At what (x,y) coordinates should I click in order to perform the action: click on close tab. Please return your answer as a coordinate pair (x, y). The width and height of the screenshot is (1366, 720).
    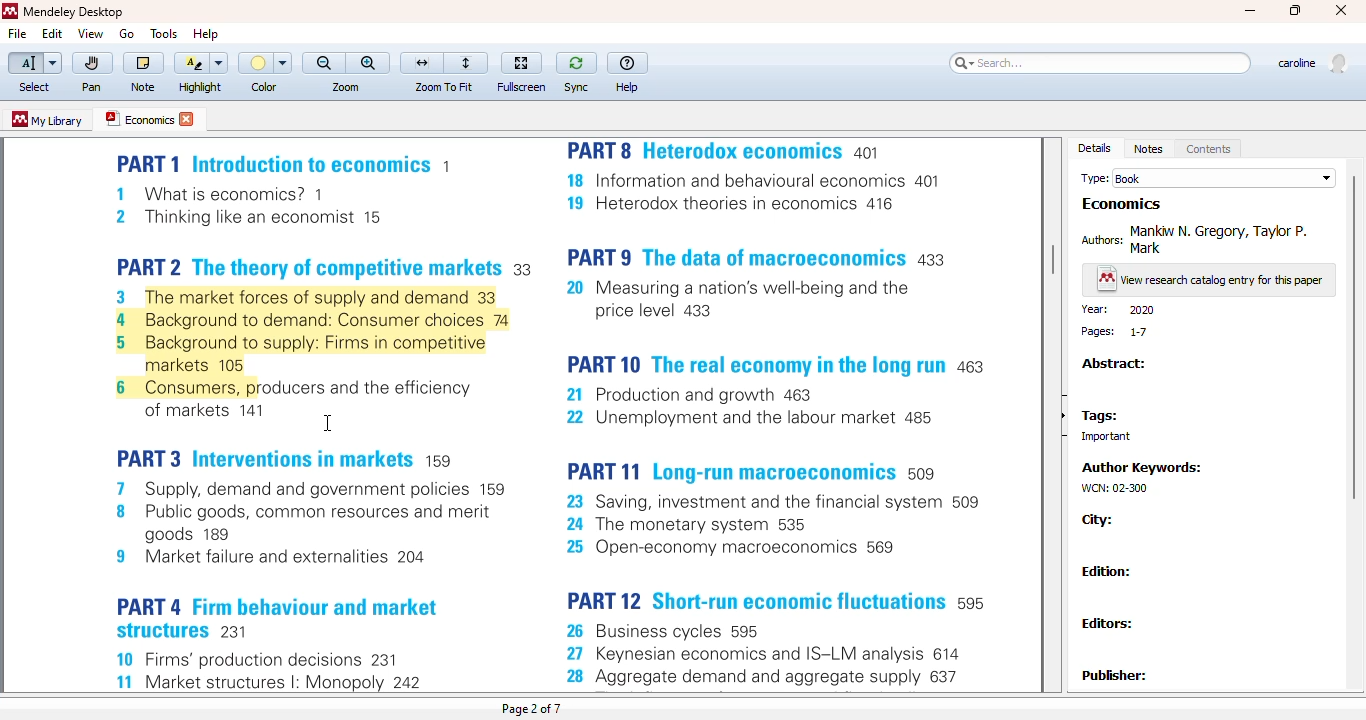
    Looking at the image, I should click on (188, 119).